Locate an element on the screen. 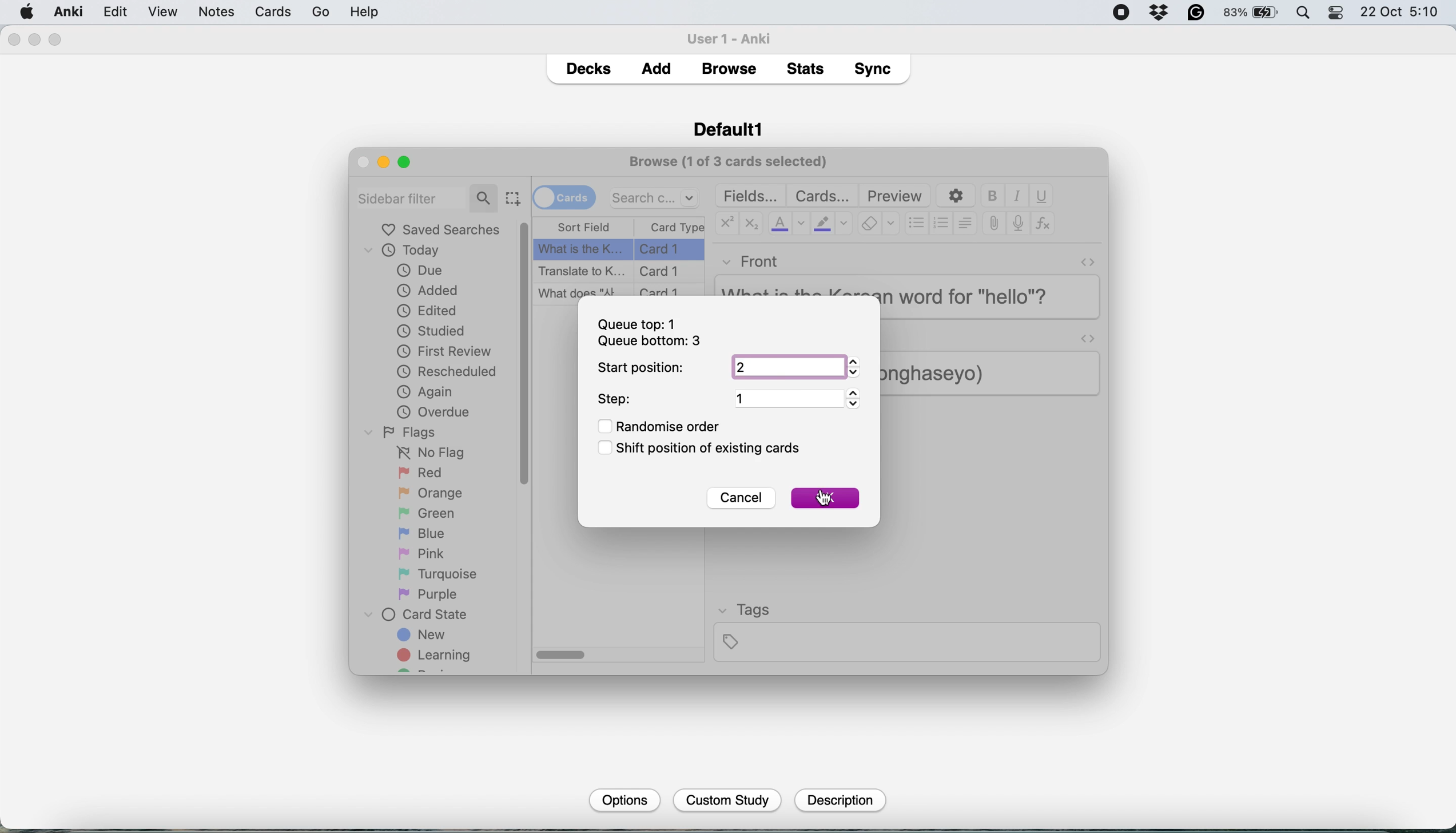  cursor is located at coordinates (823, 499).